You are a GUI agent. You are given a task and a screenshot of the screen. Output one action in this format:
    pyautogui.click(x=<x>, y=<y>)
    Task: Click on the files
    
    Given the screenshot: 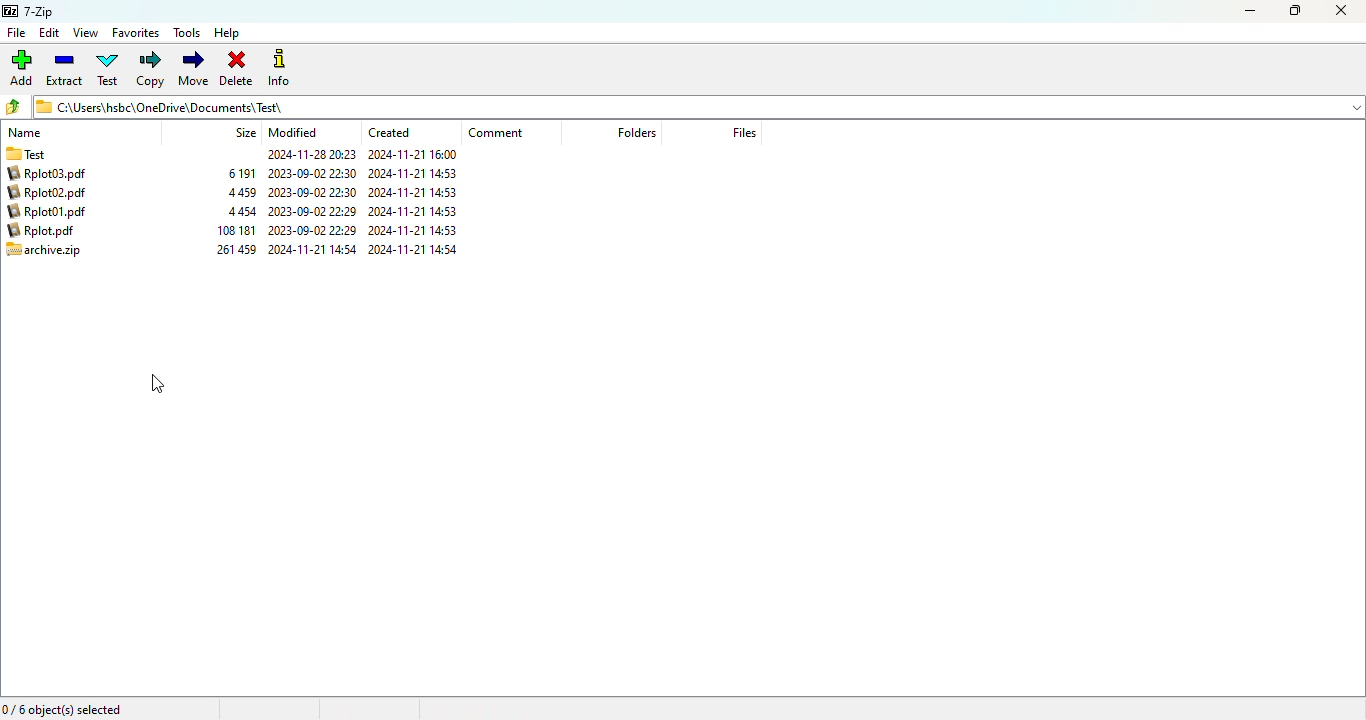 What is the action you would take?
    pyautogui.click(x=744, y=132)
    